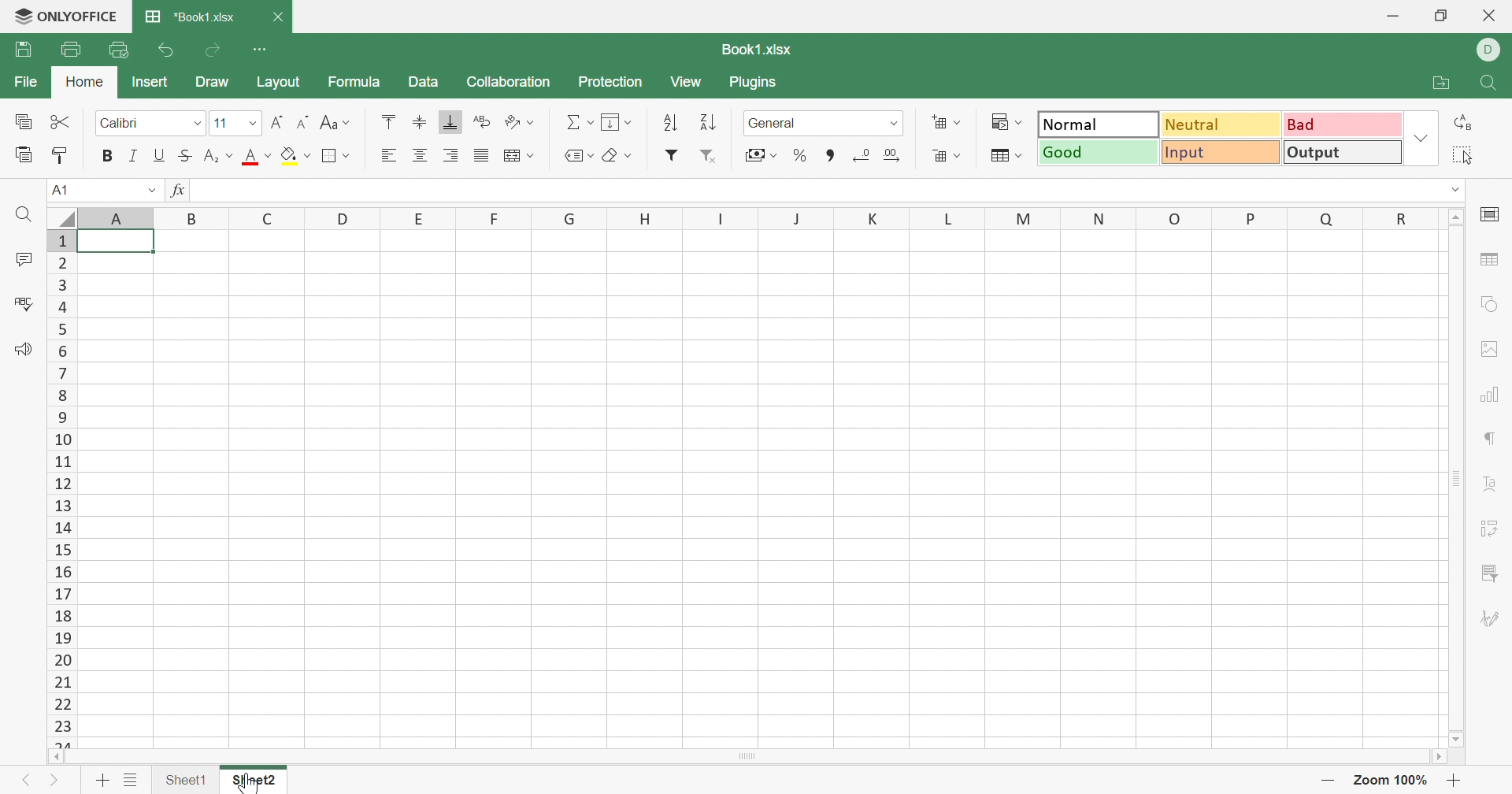 Image resolution: width=1512 pixels, height=794 pixels. I want to click on General, so click(773, 124).